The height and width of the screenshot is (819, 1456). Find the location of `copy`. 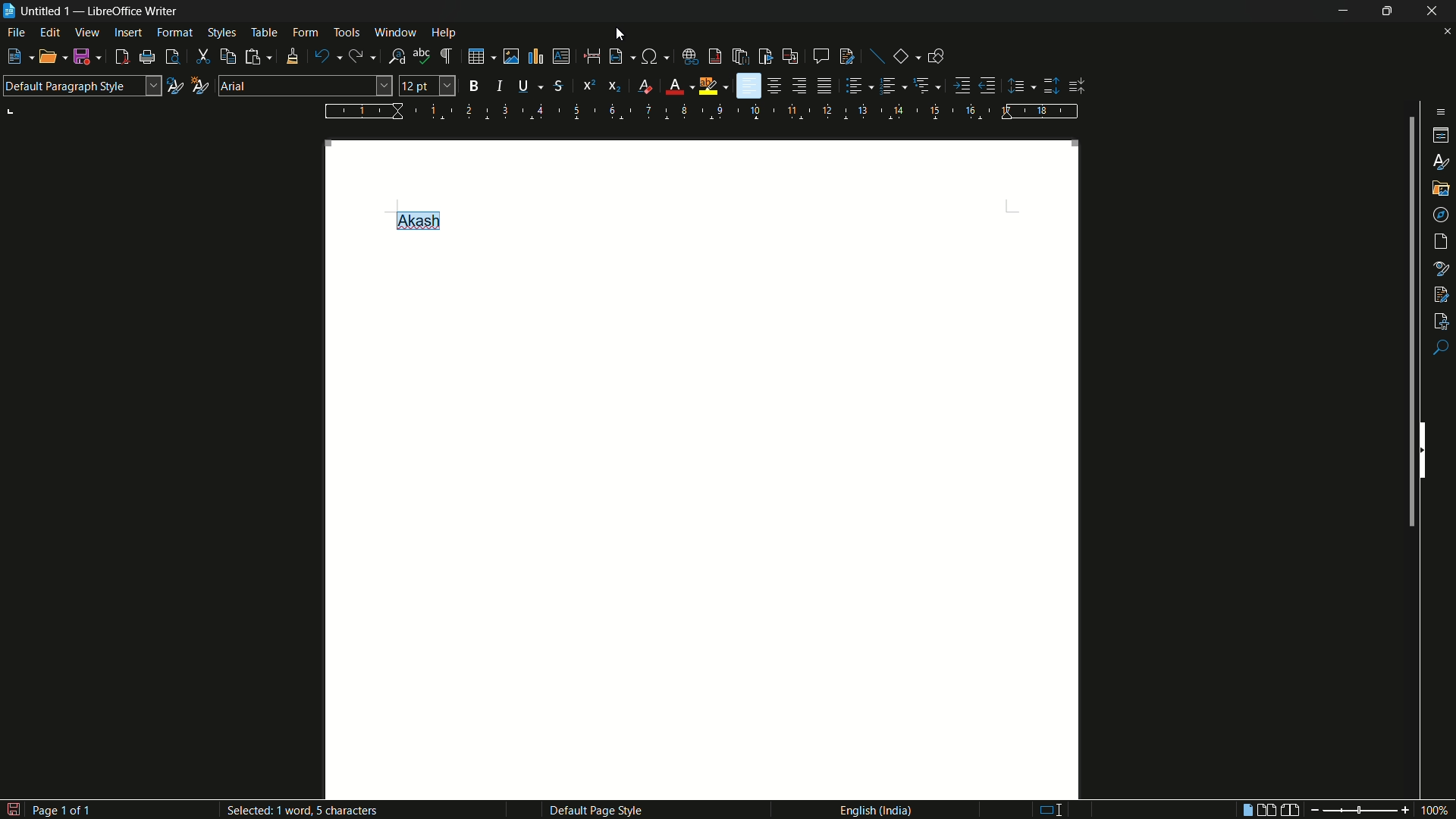

copy is located at coordinates (228, 57).